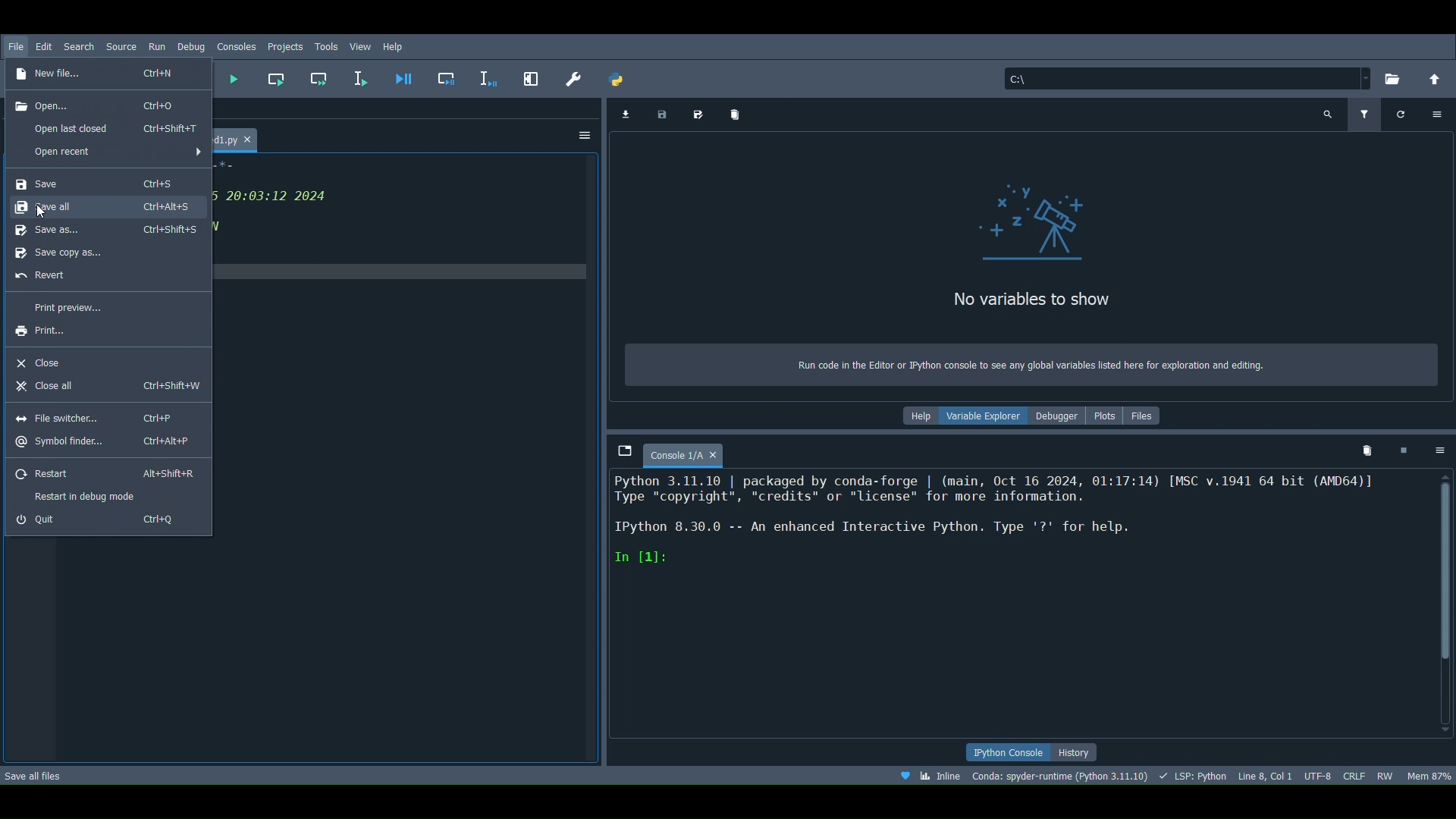 The width and height of the screenshot is (1456, 819). Describe the element at coordinates (574, 77) in the screenshot. I see `Preferences` at that location.